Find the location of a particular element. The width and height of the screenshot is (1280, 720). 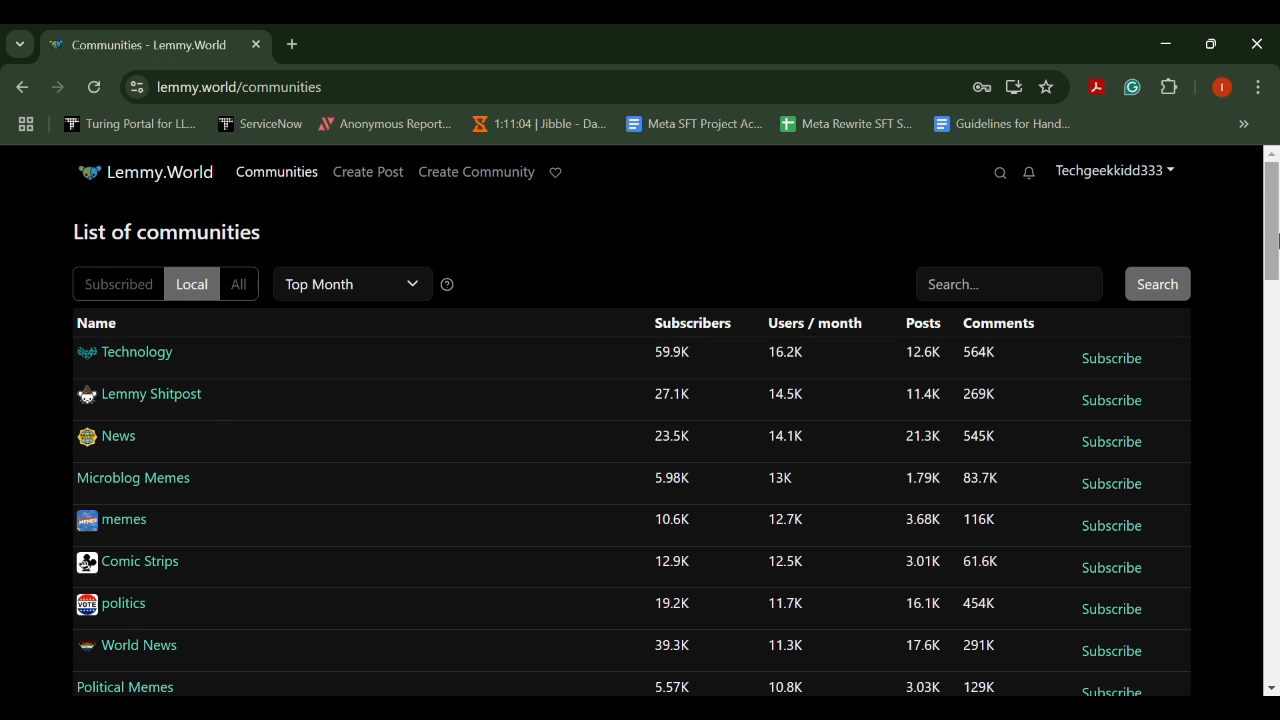

14.1K is located at coordinates (785, 436).